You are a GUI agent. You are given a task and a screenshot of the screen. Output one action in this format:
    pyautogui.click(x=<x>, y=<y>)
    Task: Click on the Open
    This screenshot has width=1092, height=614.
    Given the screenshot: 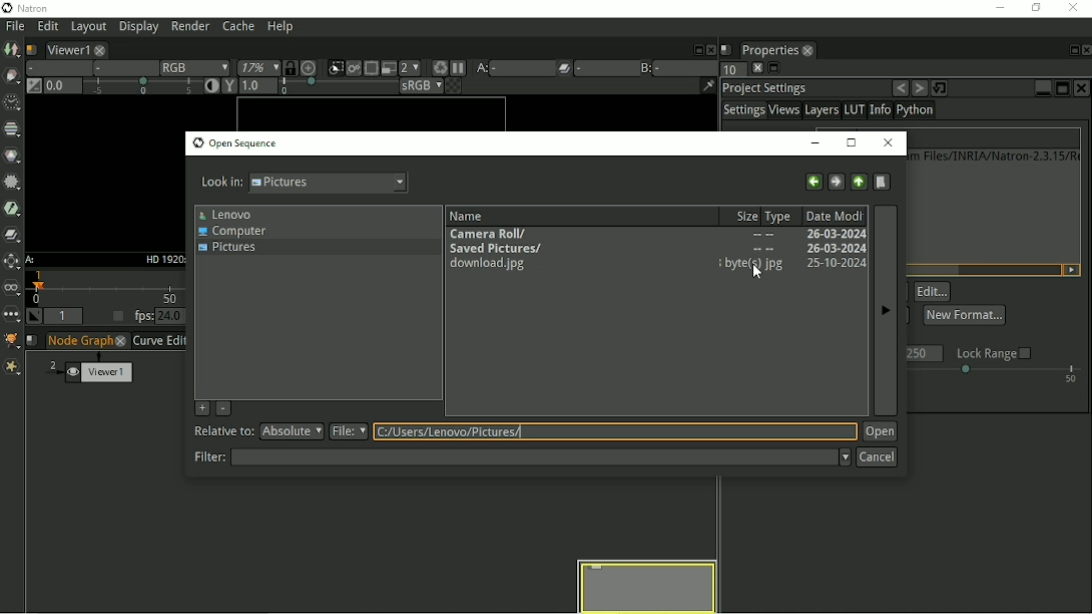 What is the action you would take?
    pyautogui.click(x=880, y=432)
    